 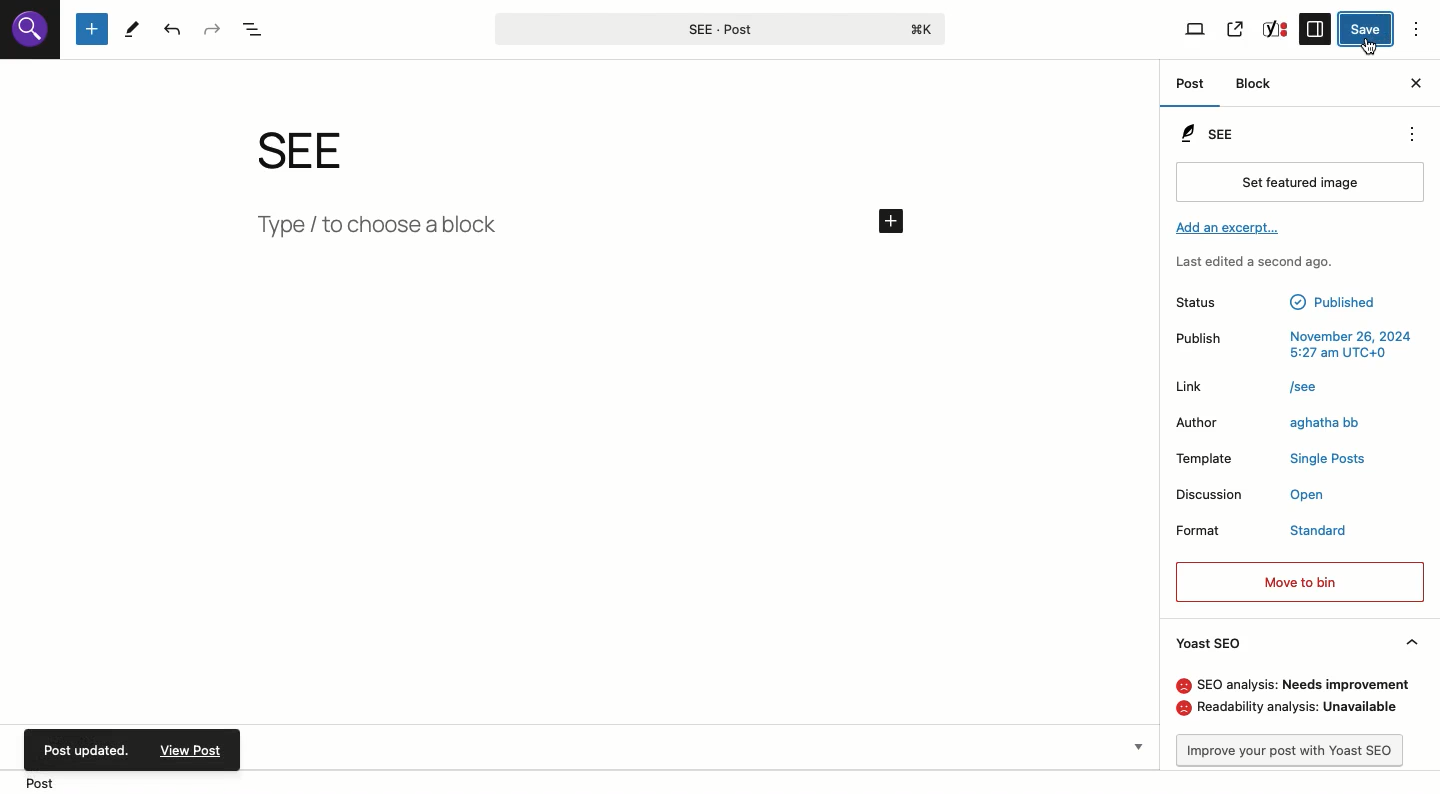 I want to click on Save, so click(x=1367, y=30).